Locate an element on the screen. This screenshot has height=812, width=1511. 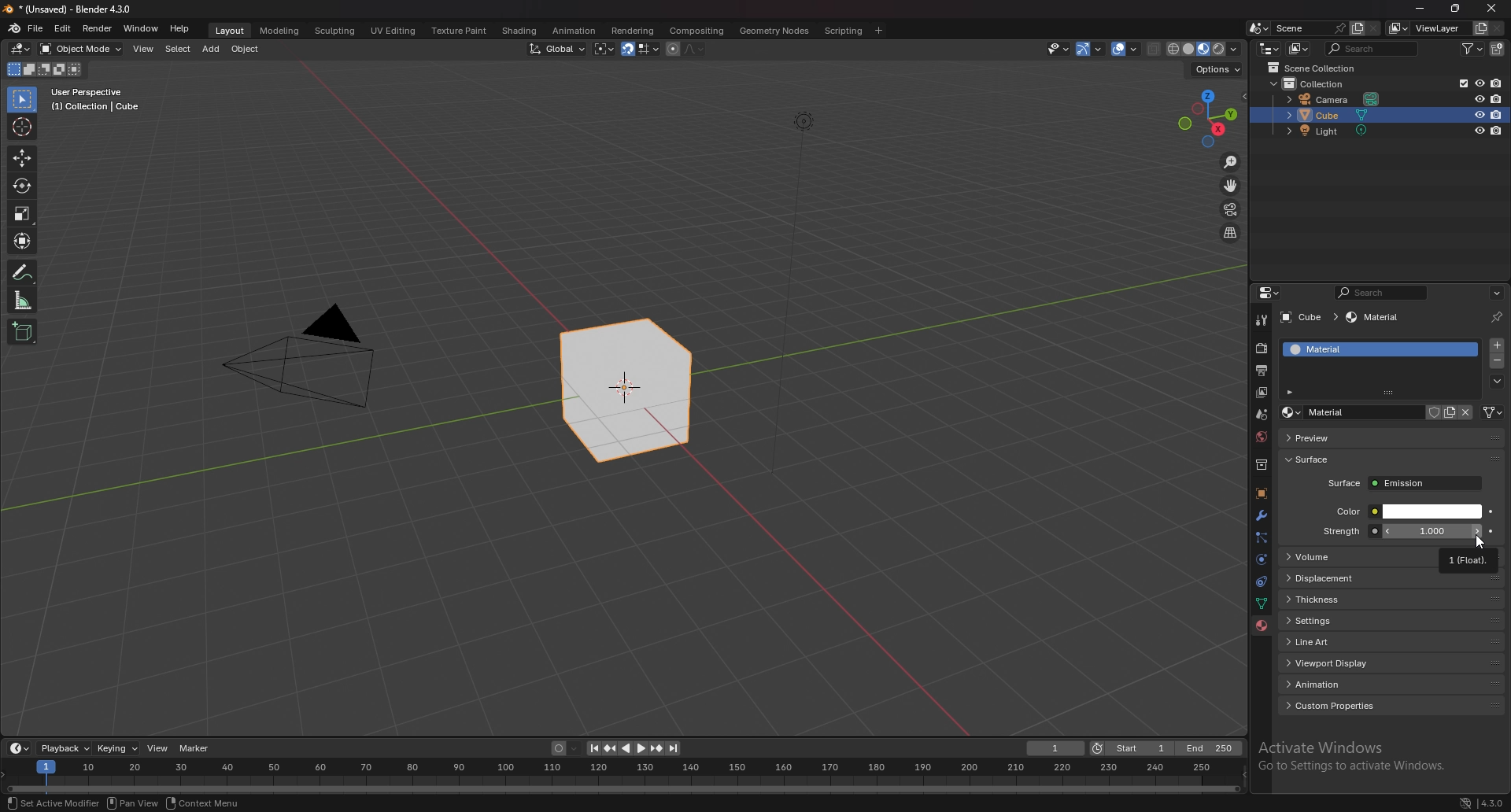
editor type is located at coordinates (19, 748).